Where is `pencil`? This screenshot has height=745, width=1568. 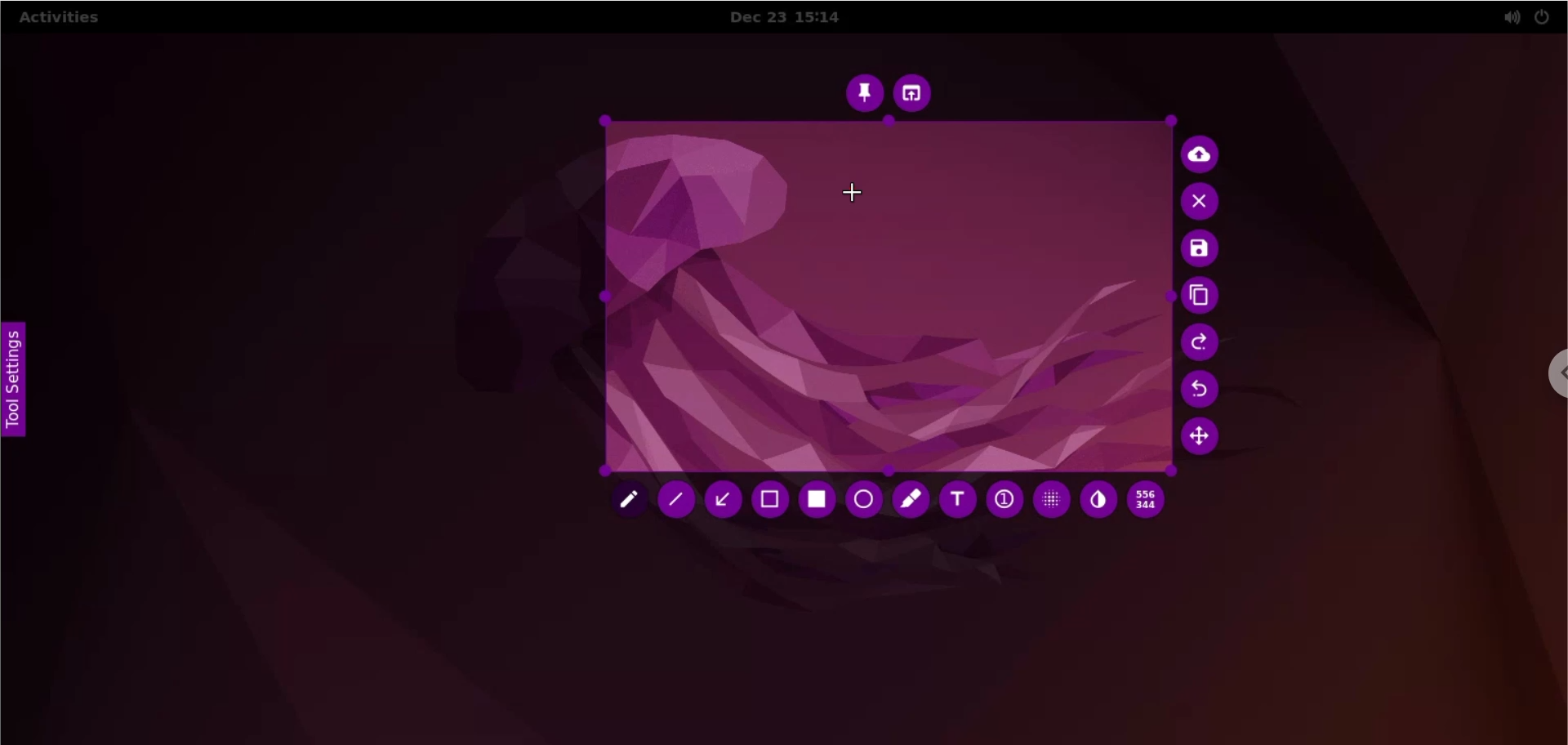
pencil is located at coordinates (626, 500).